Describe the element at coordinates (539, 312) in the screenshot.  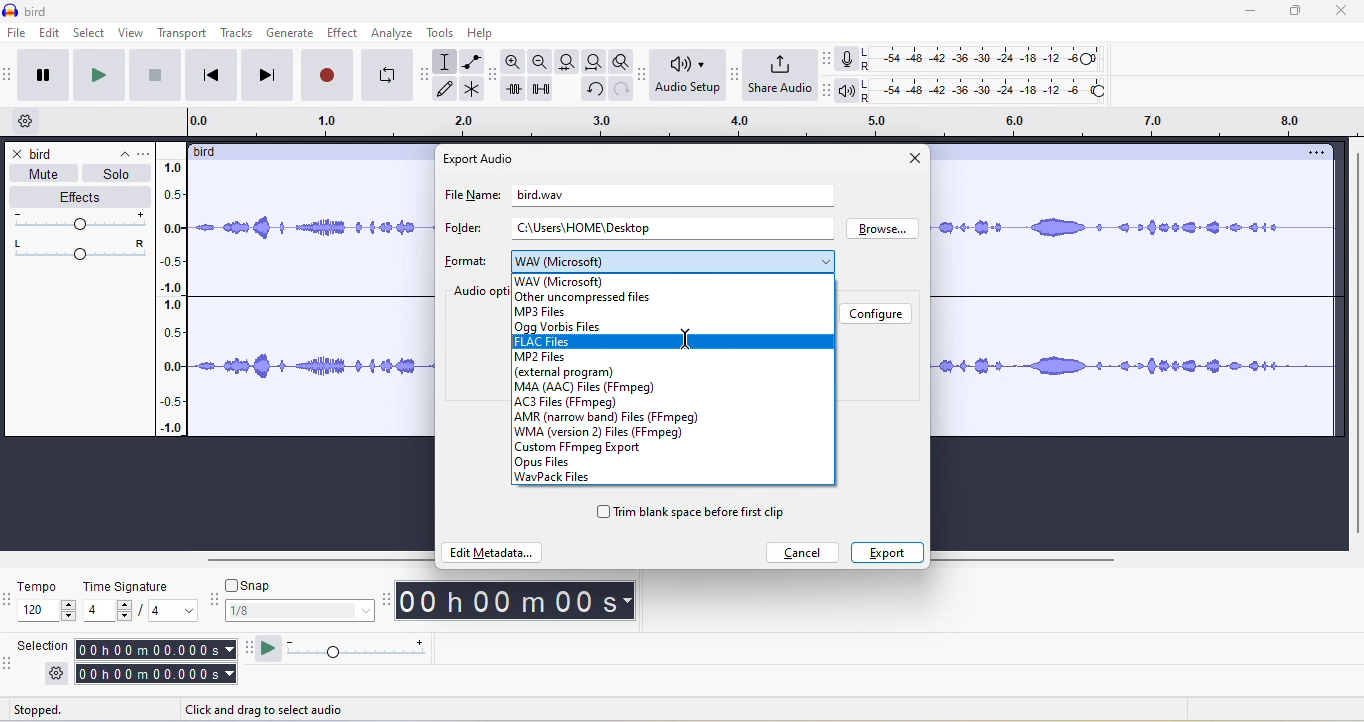
I see `mp3 file` at that location.